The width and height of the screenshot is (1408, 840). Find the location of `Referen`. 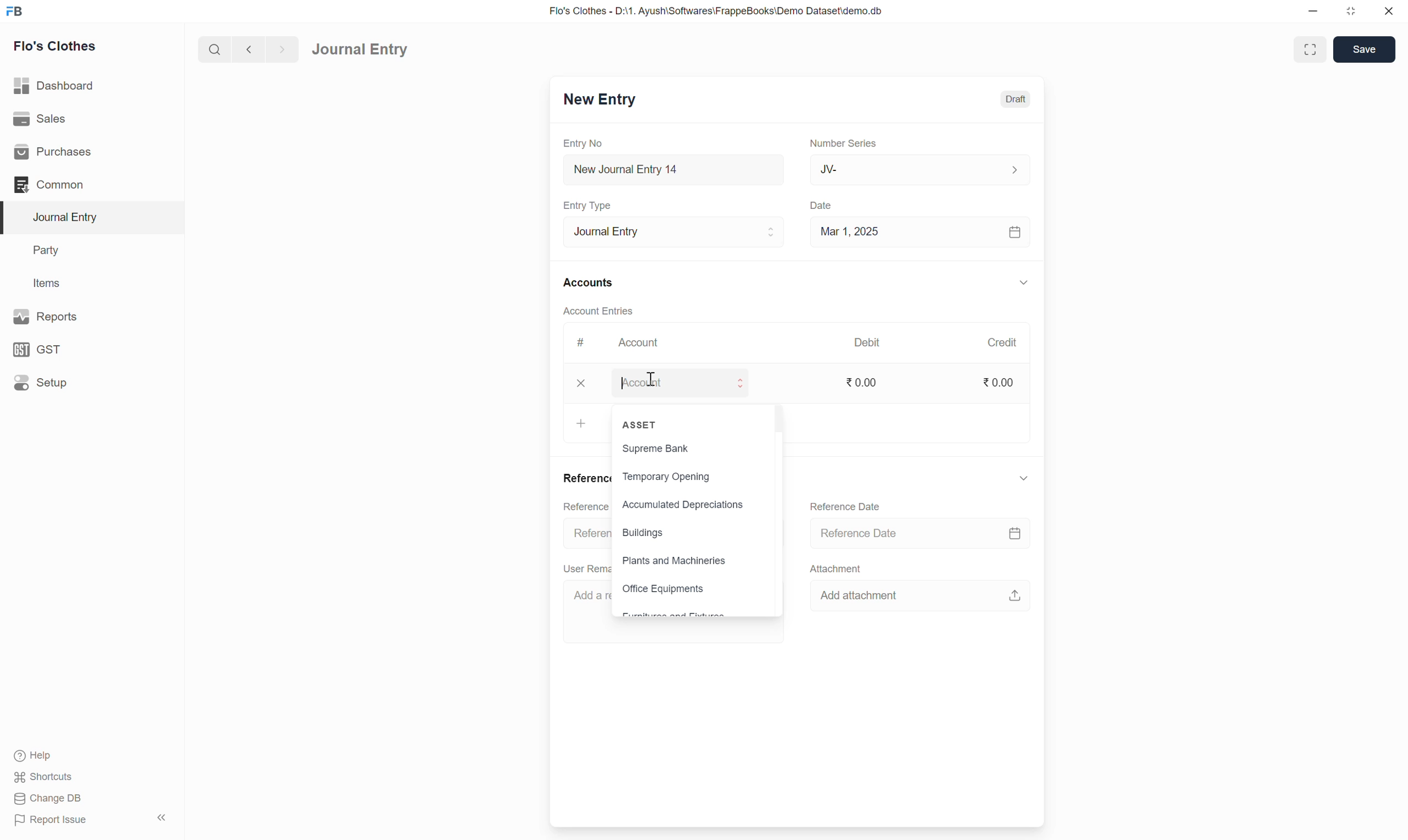

Referen is located at coordinates (593, 532).